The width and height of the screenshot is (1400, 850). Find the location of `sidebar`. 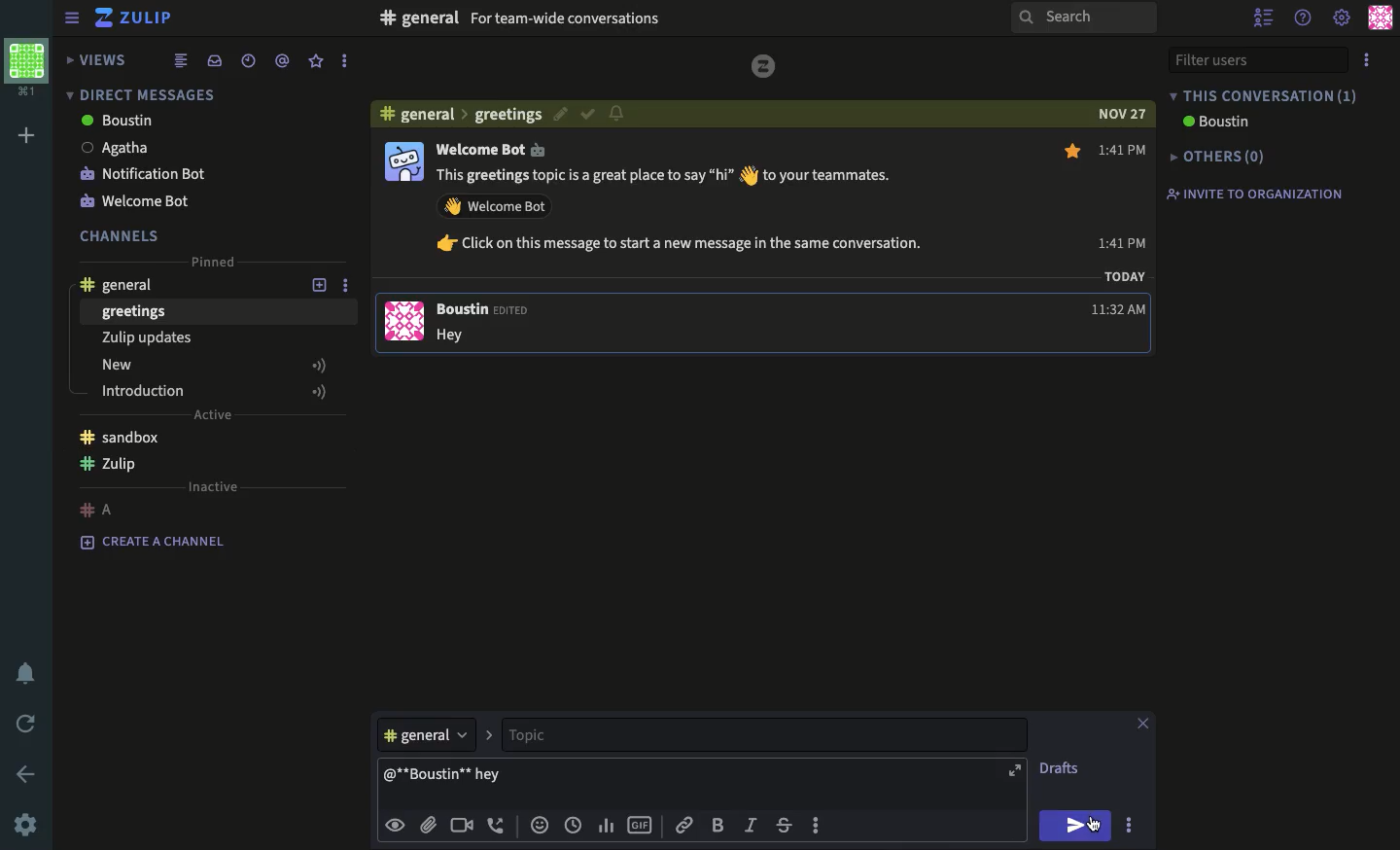

sidebar is located at coordinates (72, 19).